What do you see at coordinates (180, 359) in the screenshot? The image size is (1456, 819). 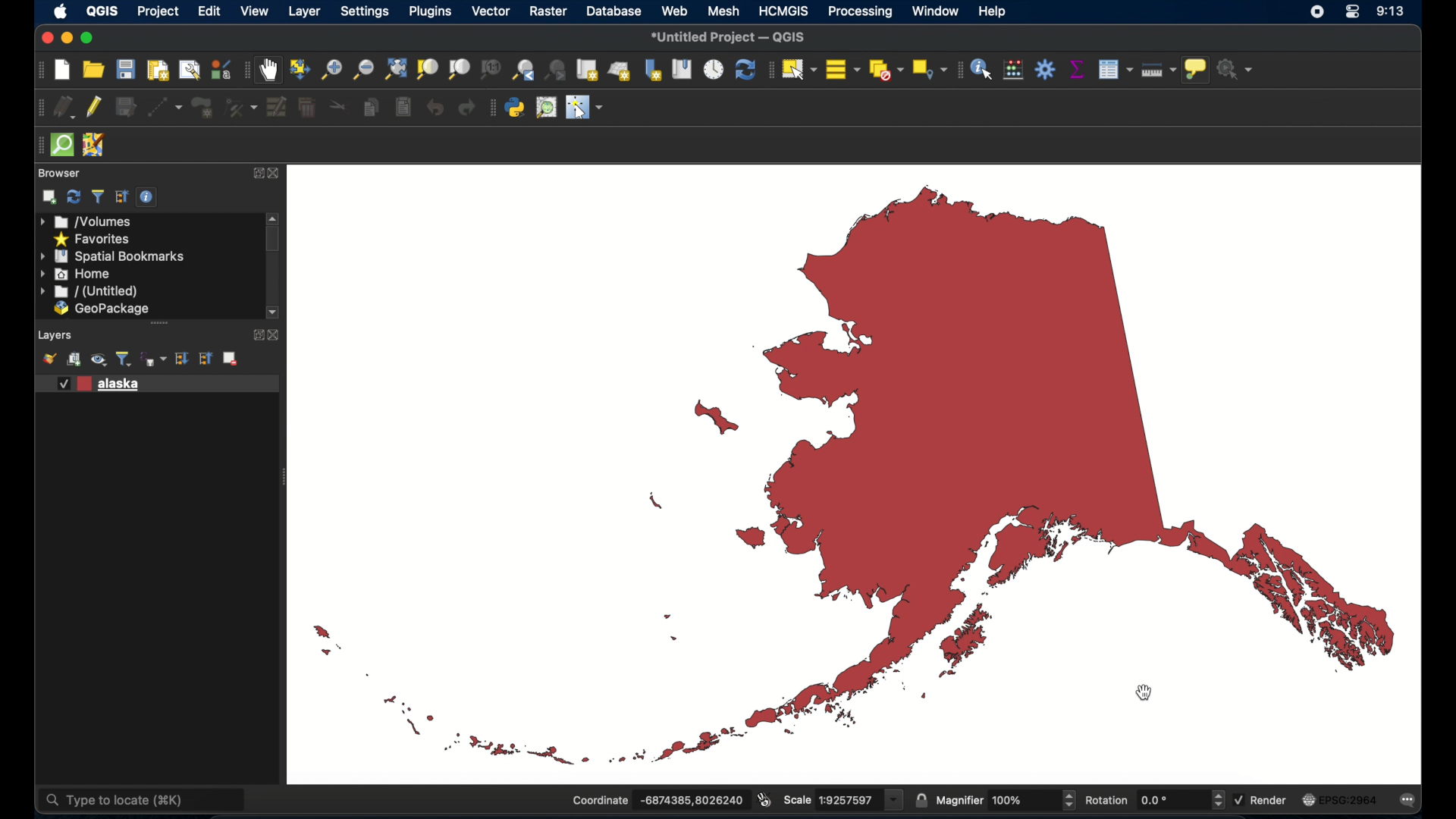 I see `expand all` at bounding box center [180, 359].